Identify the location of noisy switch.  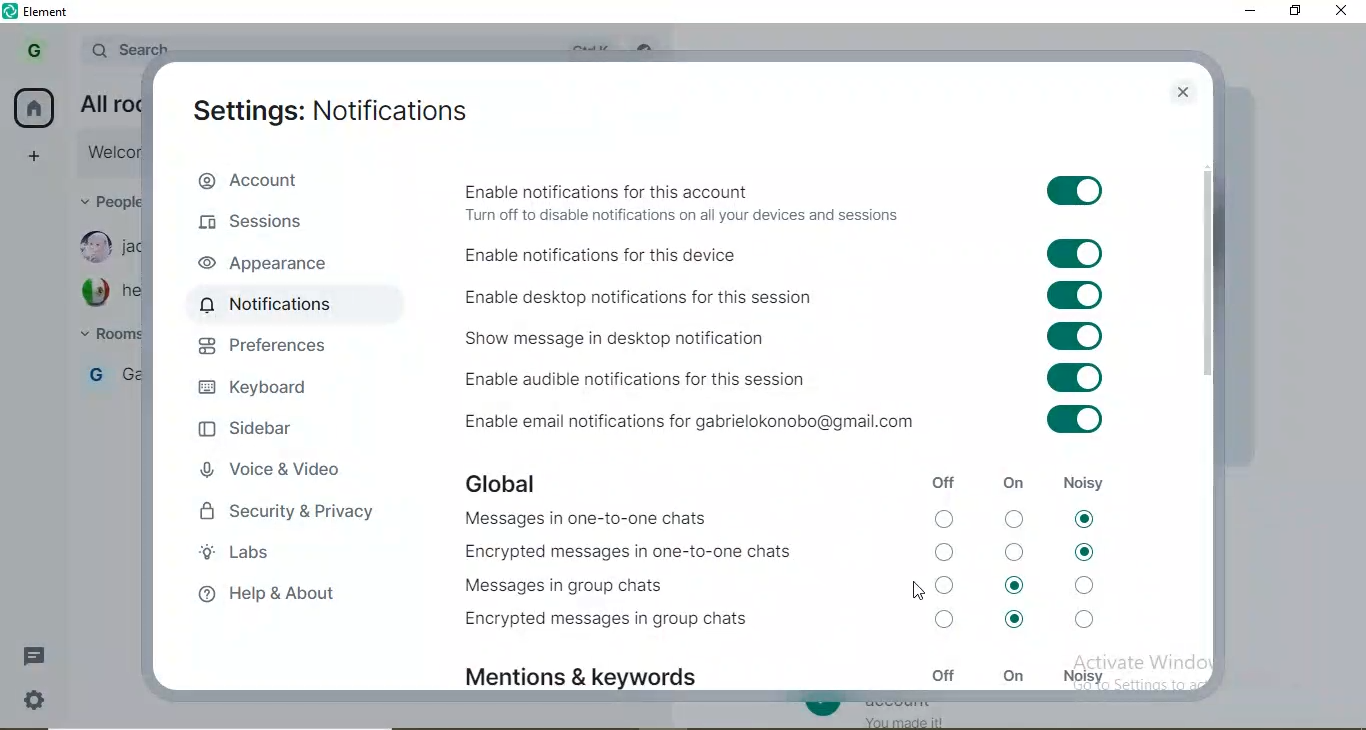
(1089, 583).